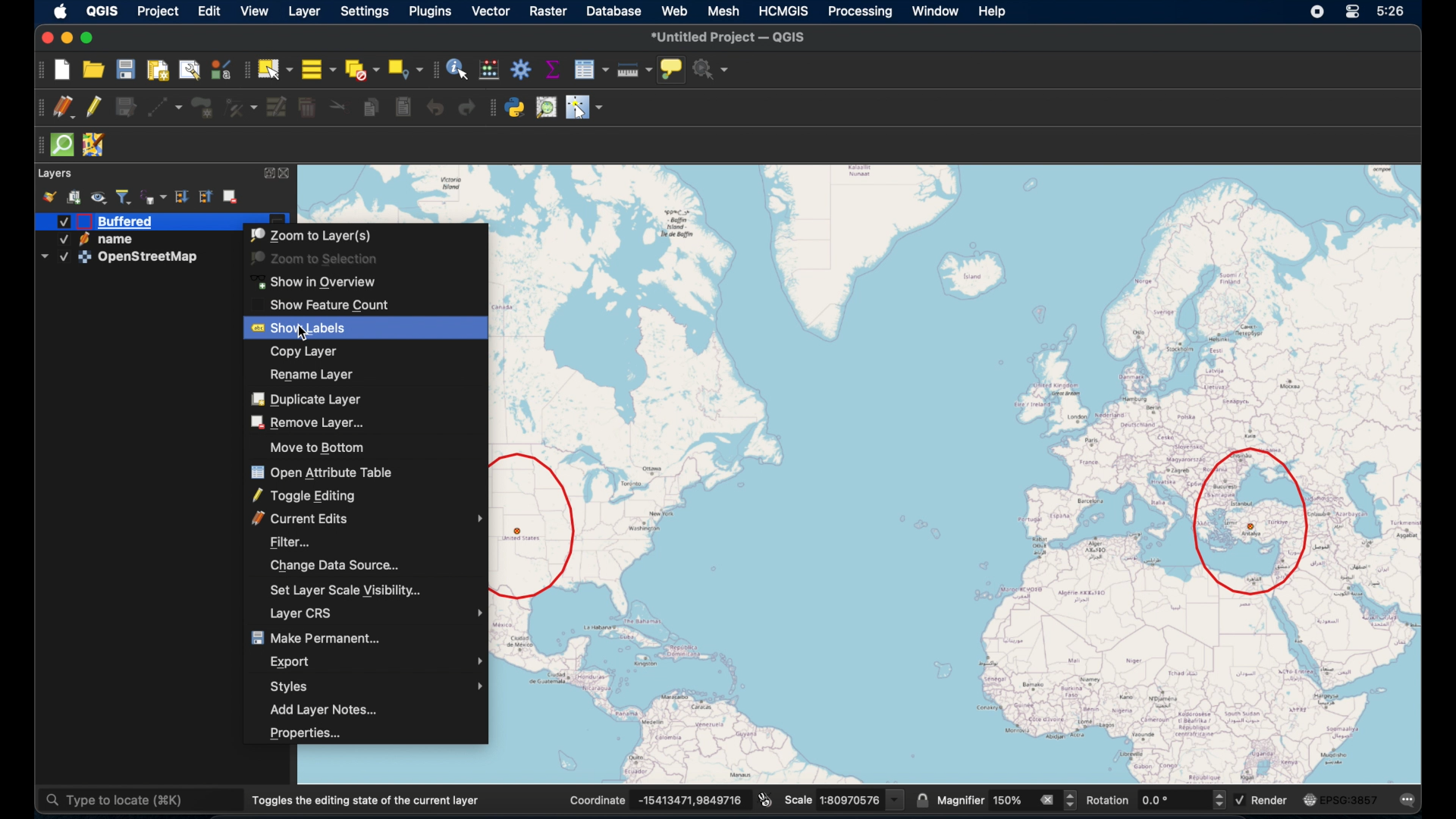 The image size is (1456, 819). What do you see at coordinates (593, 69) in the screenshot?
I see `show attribute table` at bounding box center [593, 69].